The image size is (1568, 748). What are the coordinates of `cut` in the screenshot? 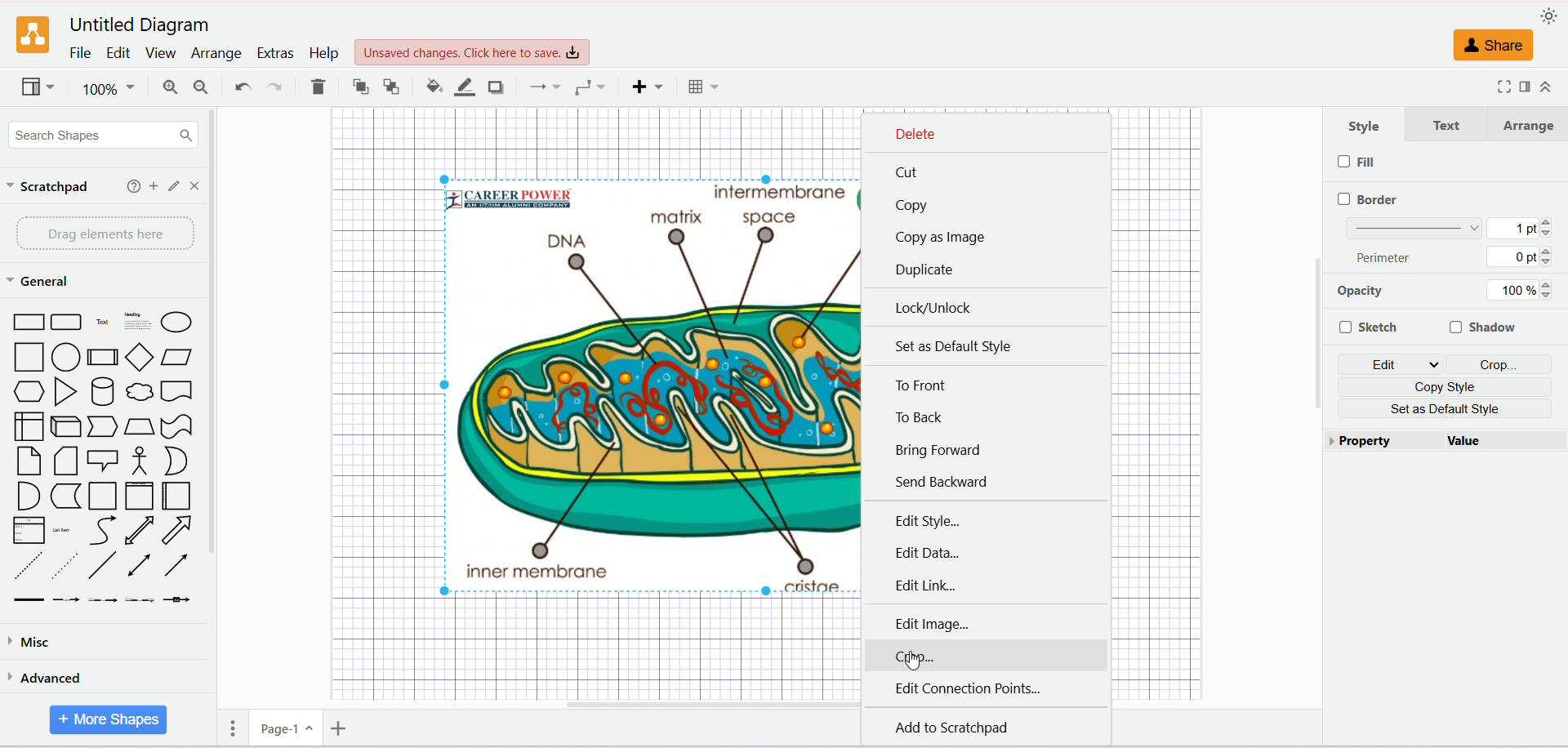 It's located at (906, 172).